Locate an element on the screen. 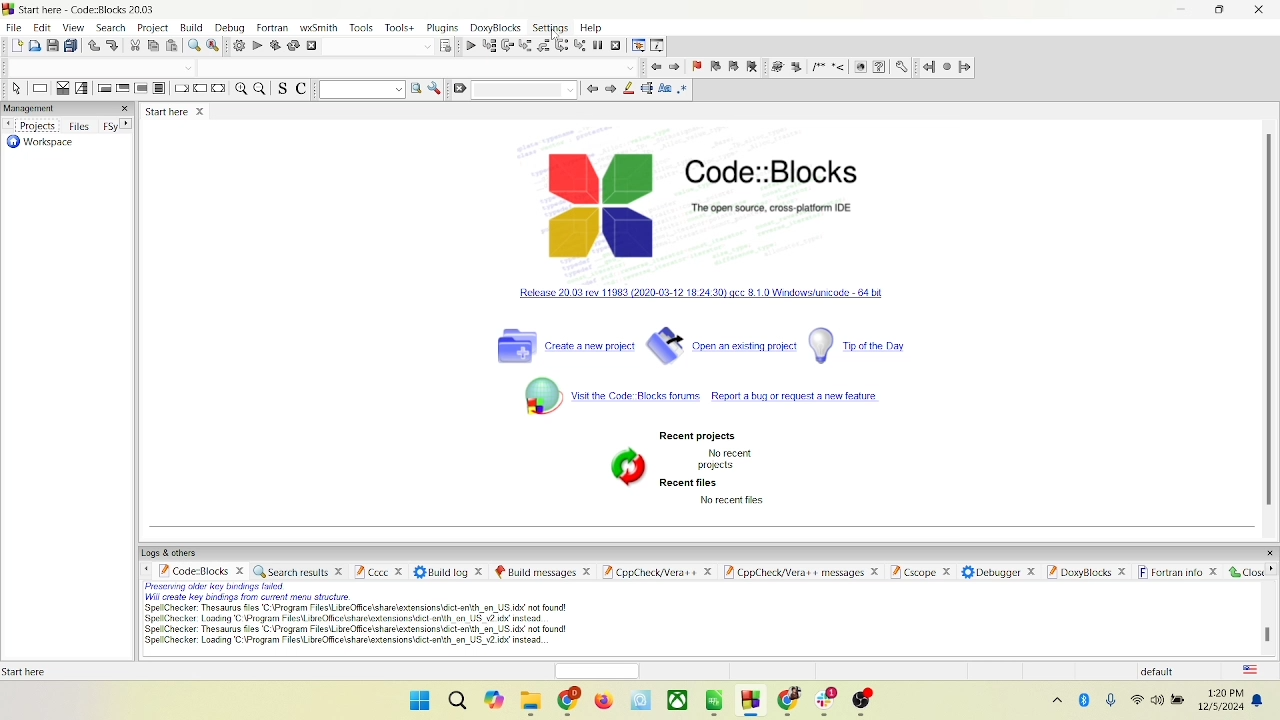 The height and width of the screenshot is (720, 1280). tools is located at coordinates (363, 27).